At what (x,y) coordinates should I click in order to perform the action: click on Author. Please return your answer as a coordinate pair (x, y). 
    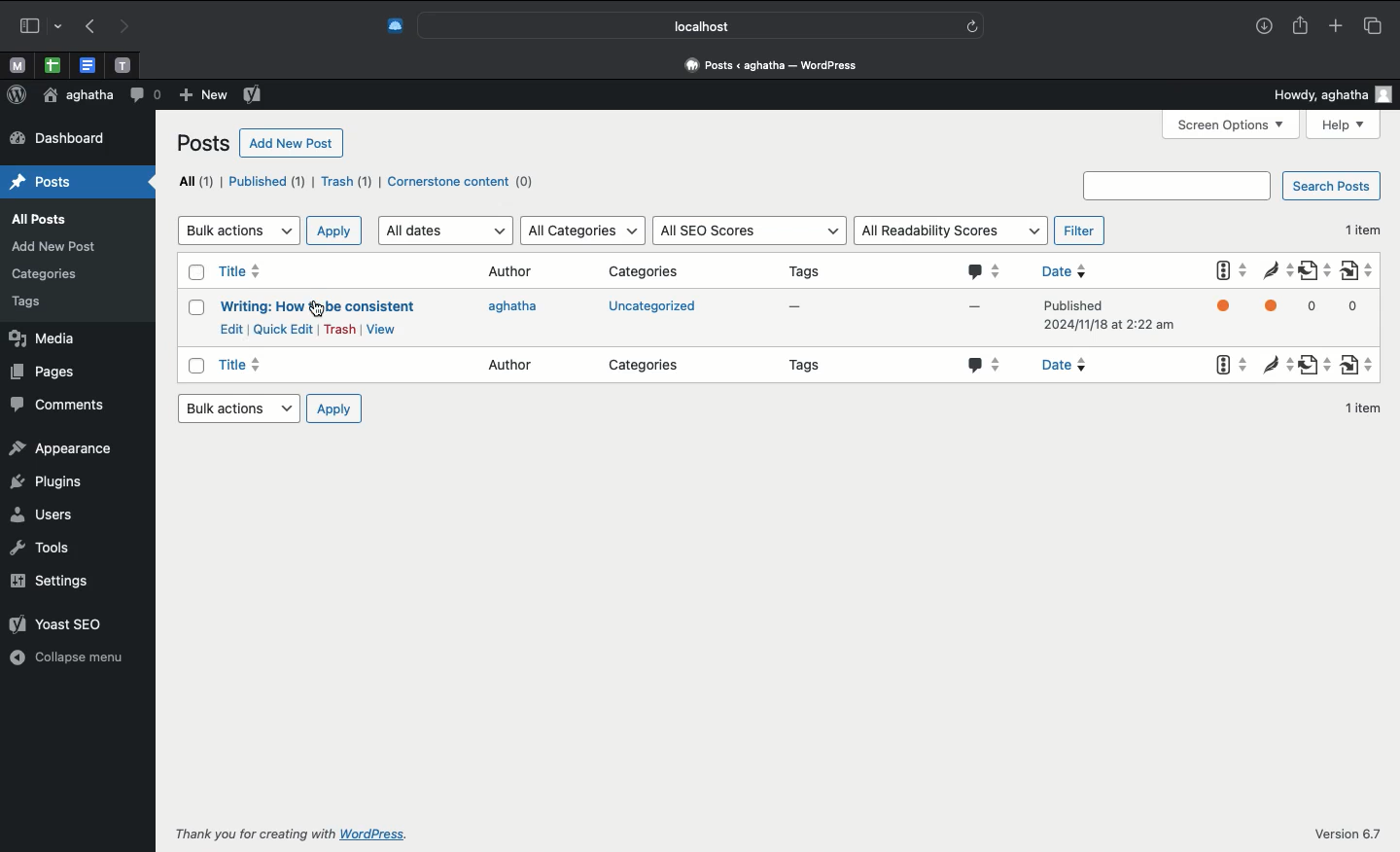
    Looking at the image, I should click on (521, 310).